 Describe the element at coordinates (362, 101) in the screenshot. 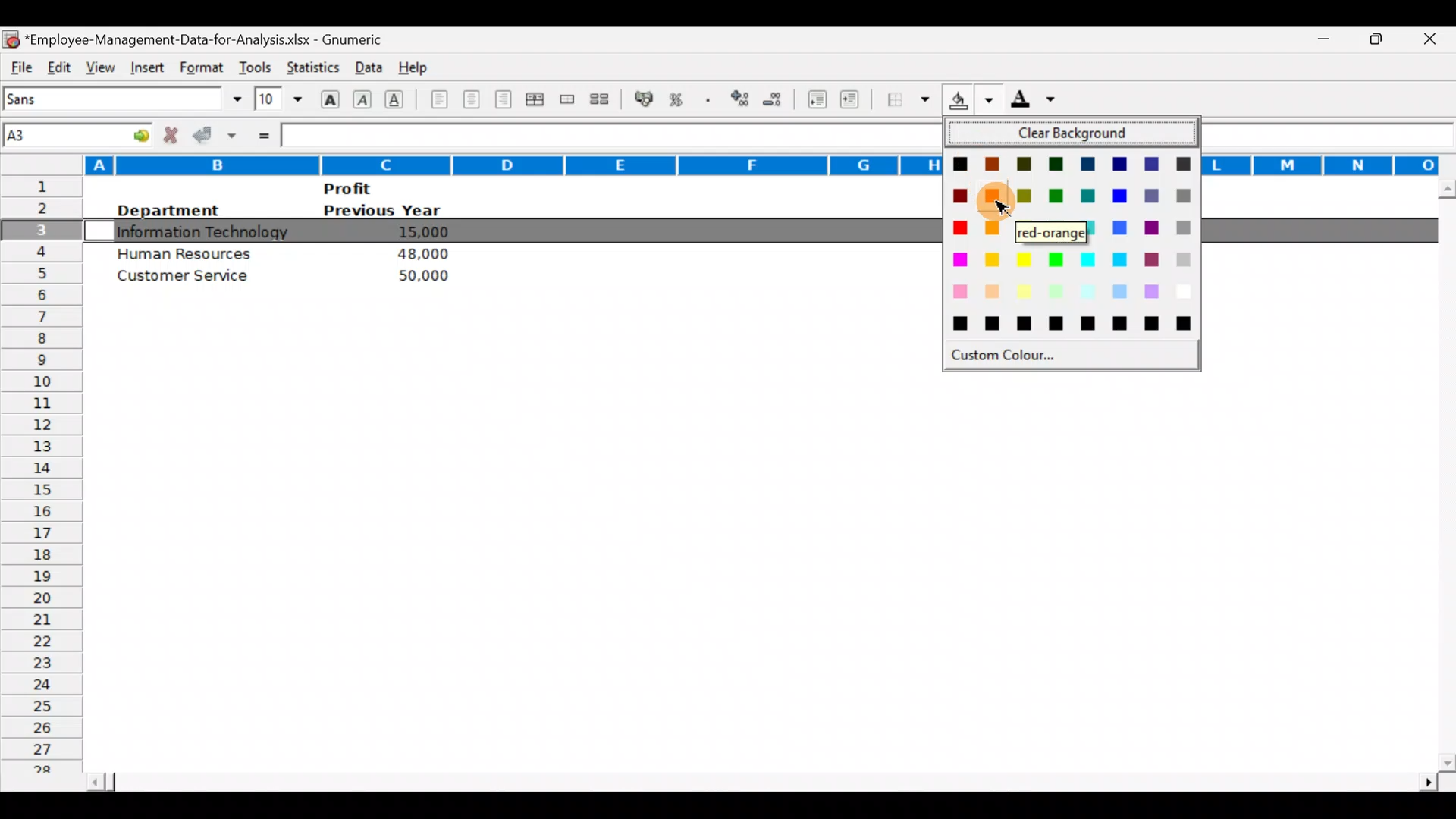

I see `Italic` at that location.